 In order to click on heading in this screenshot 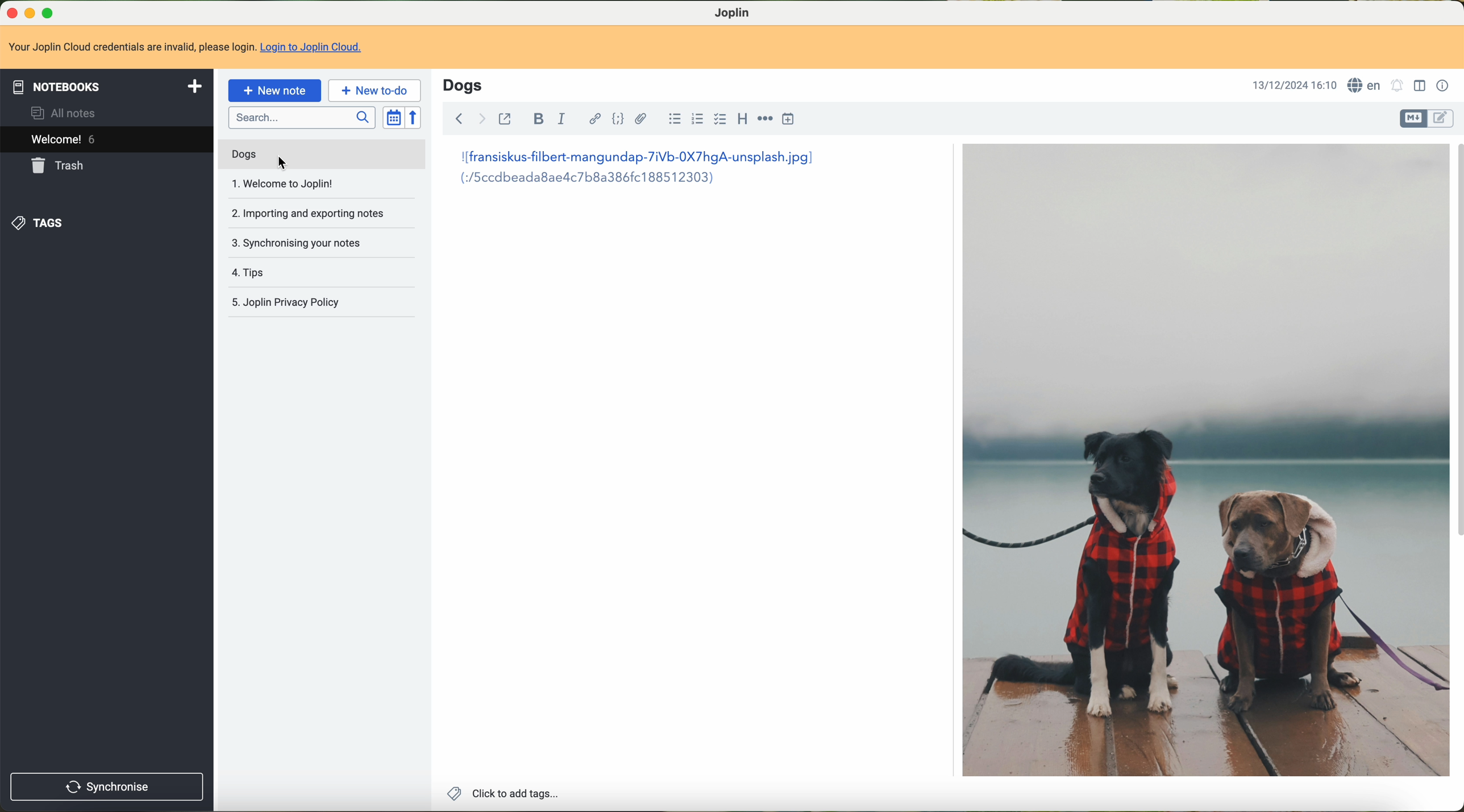, I will do `click(743, 120)`.